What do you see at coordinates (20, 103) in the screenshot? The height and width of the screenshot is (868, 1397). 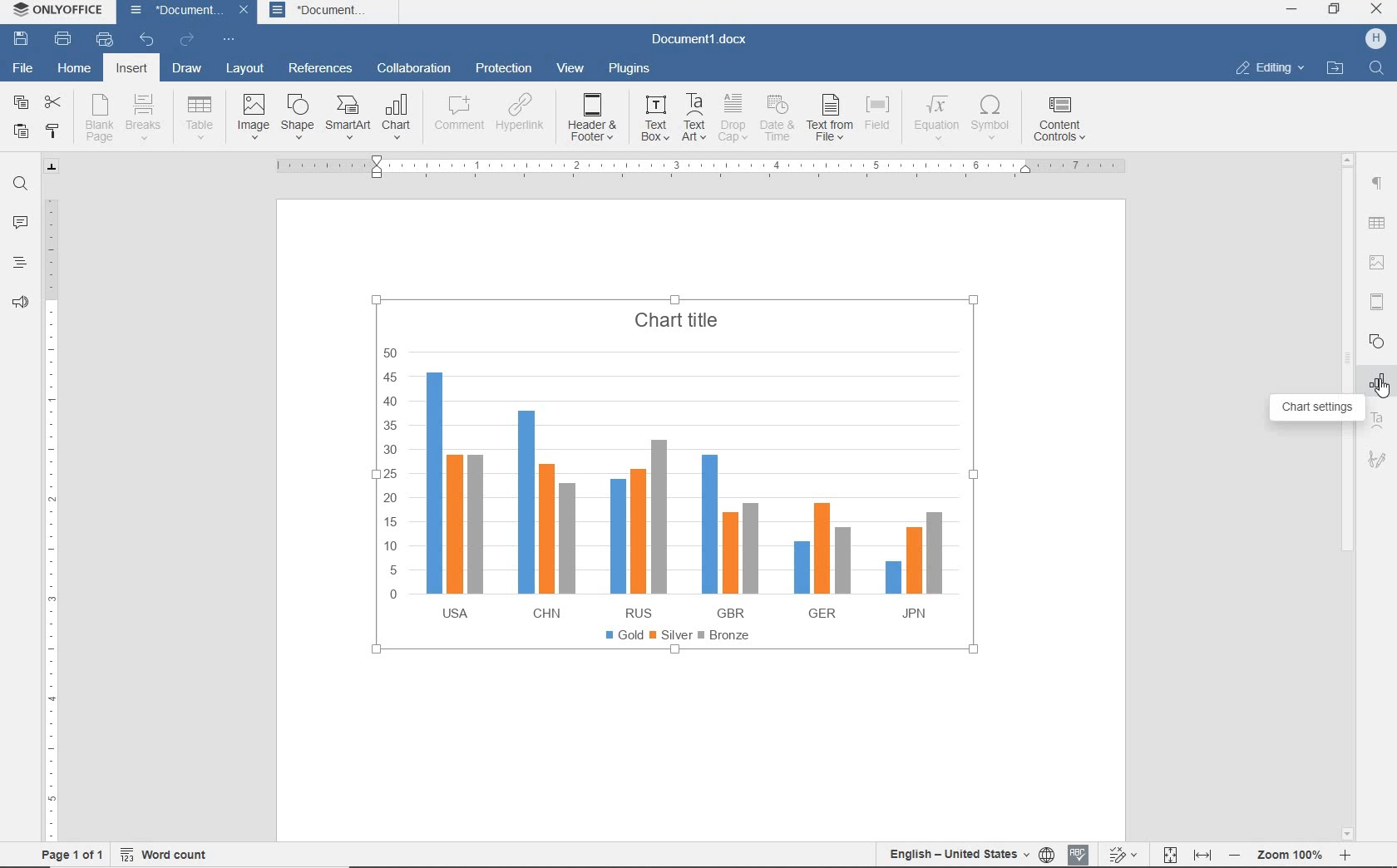 I see `copy` at bounding box center [20, 103].